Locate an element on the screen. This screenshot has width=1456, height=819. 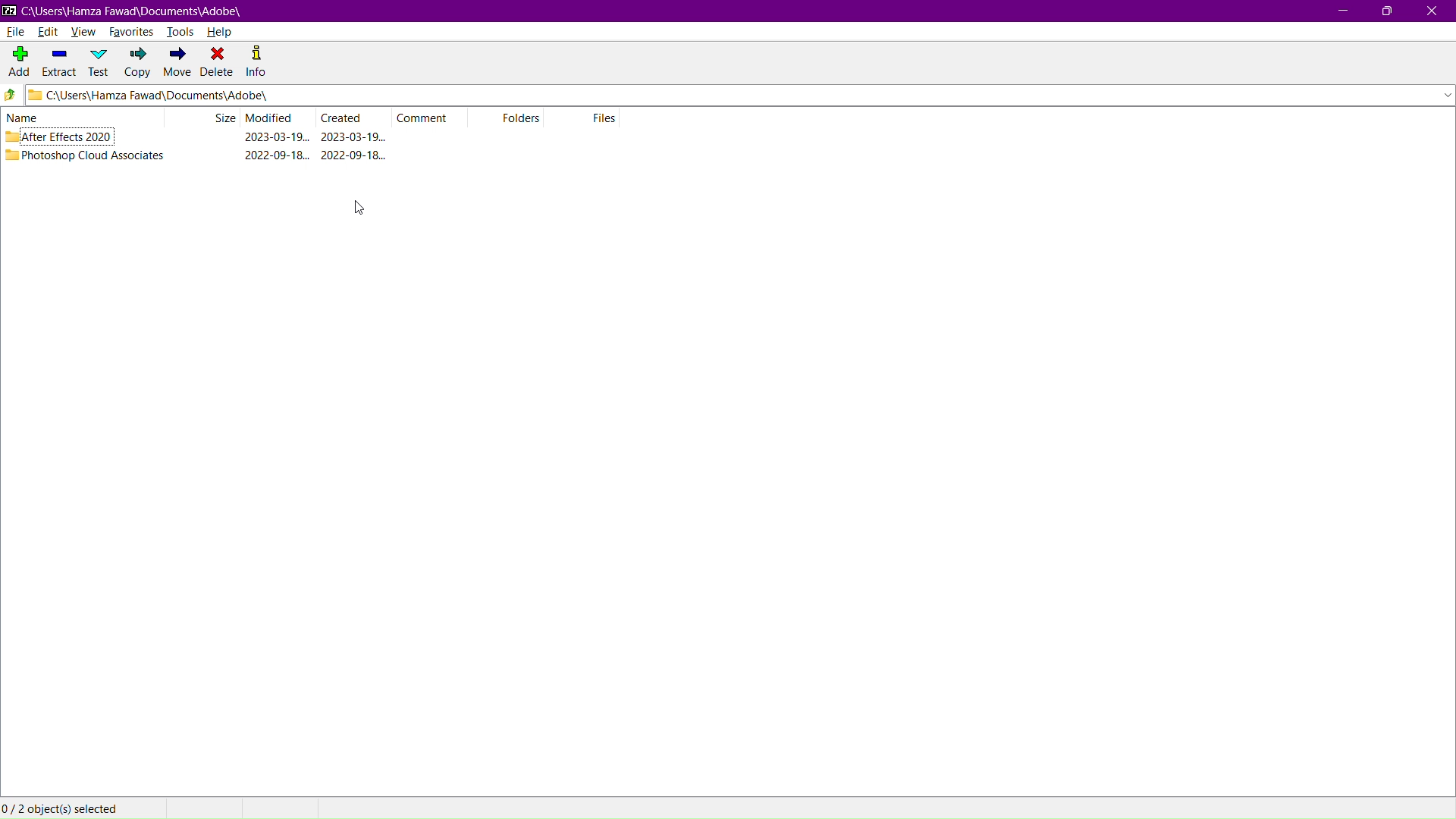
Move is located at coordinates (175, 63).